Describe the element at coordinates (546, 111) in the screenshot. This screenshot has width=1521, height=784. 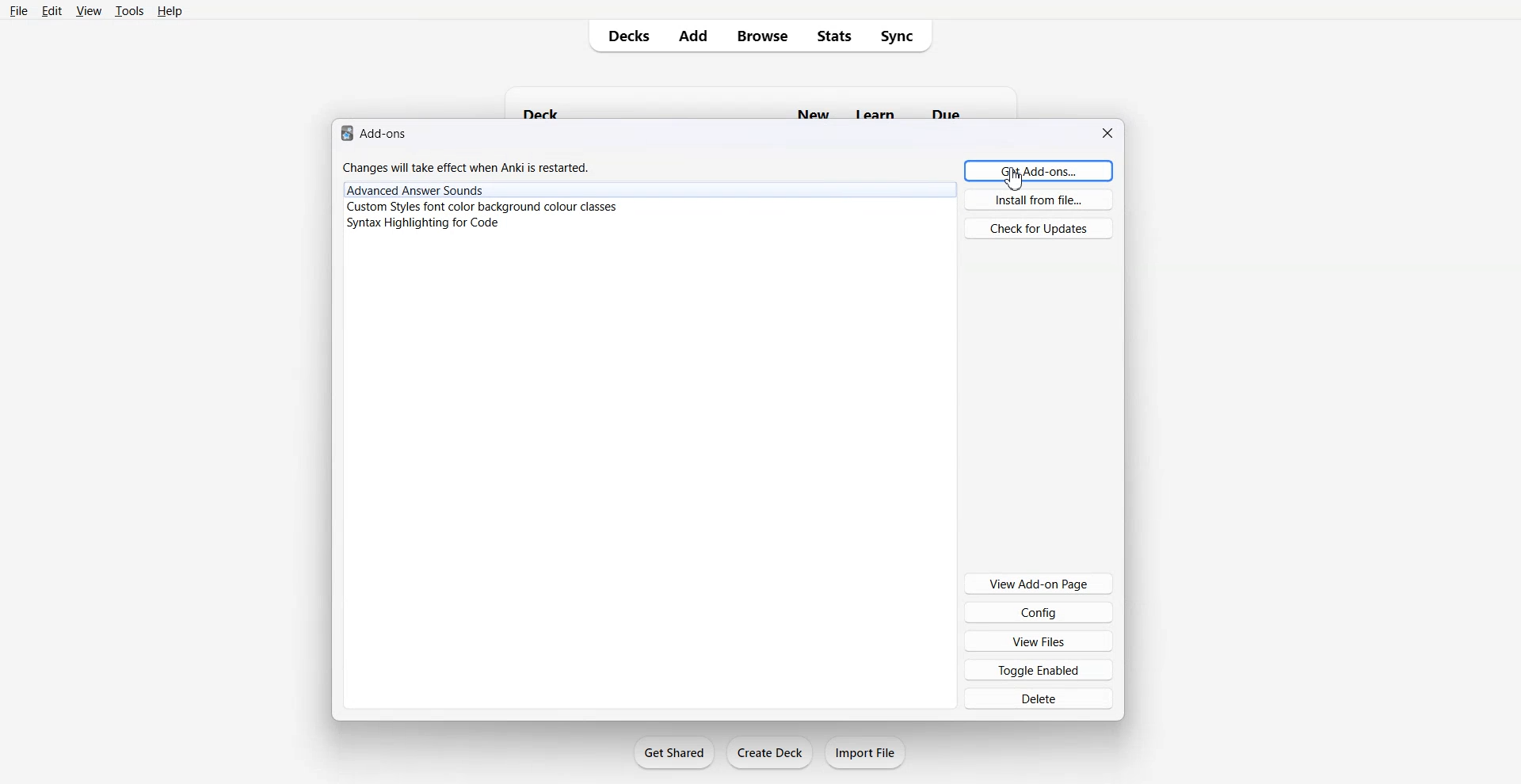
I see `deck` at that location.